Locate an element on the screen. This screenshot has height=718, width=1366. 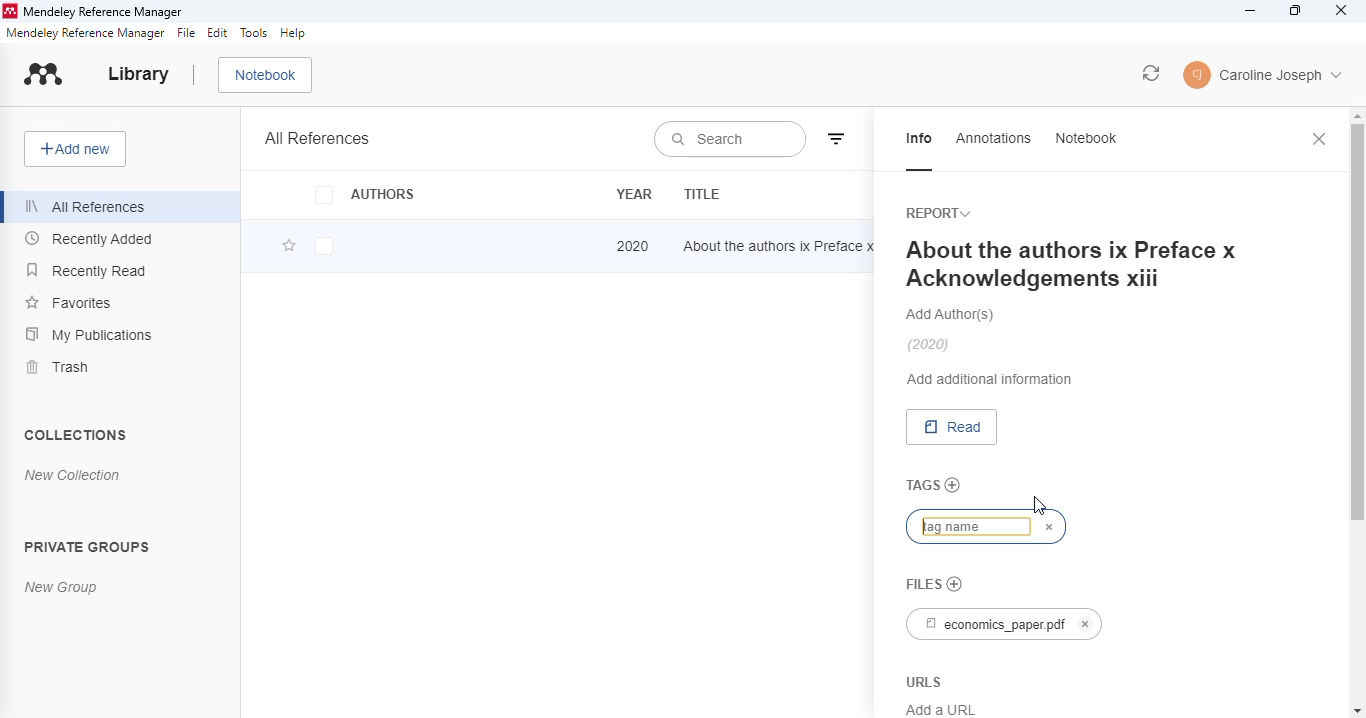
sync is located at coordinates (1152, 73).